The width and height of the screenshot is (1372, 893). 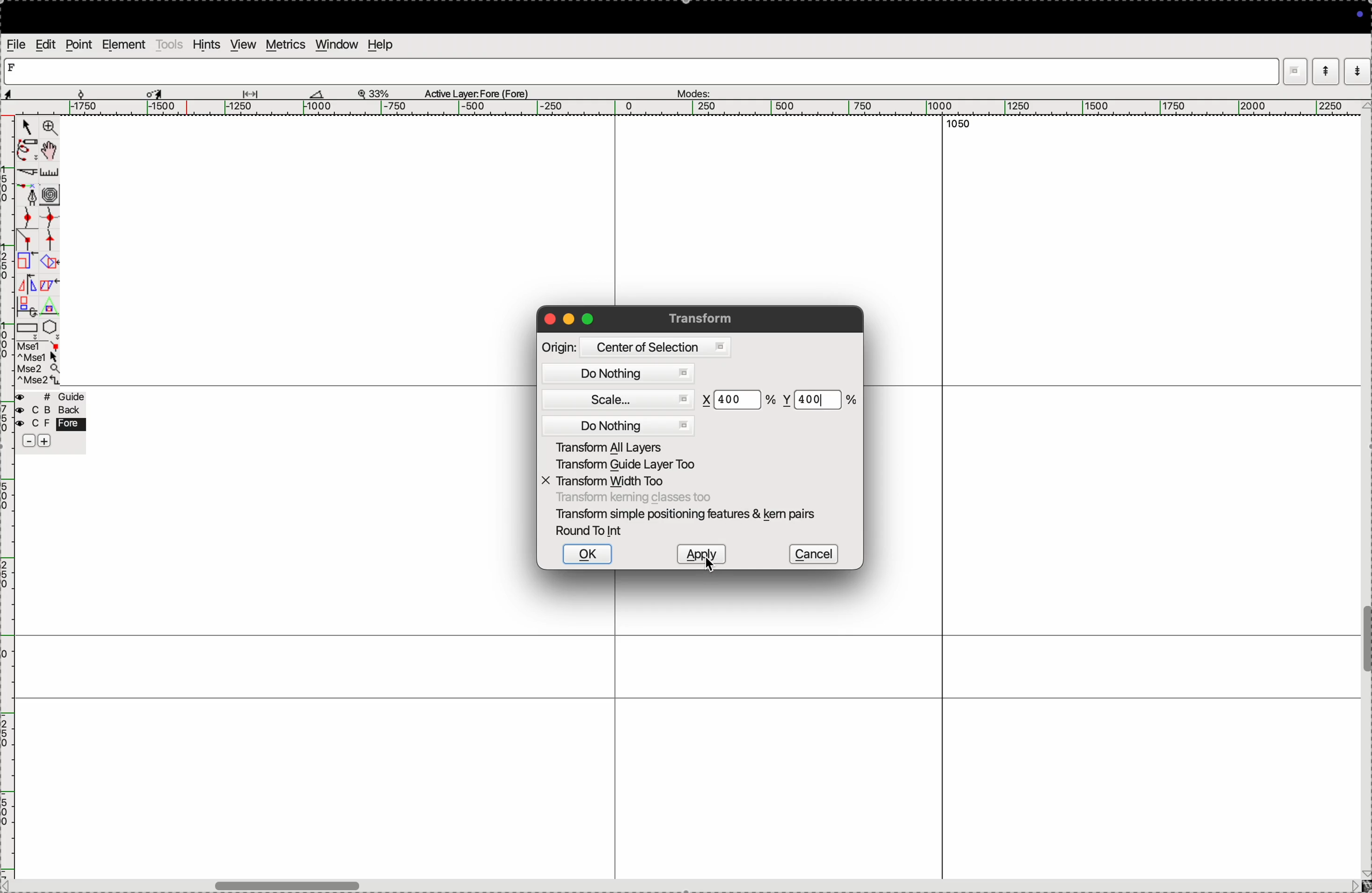 I want to click on maximize, so click(x=587, y=318).